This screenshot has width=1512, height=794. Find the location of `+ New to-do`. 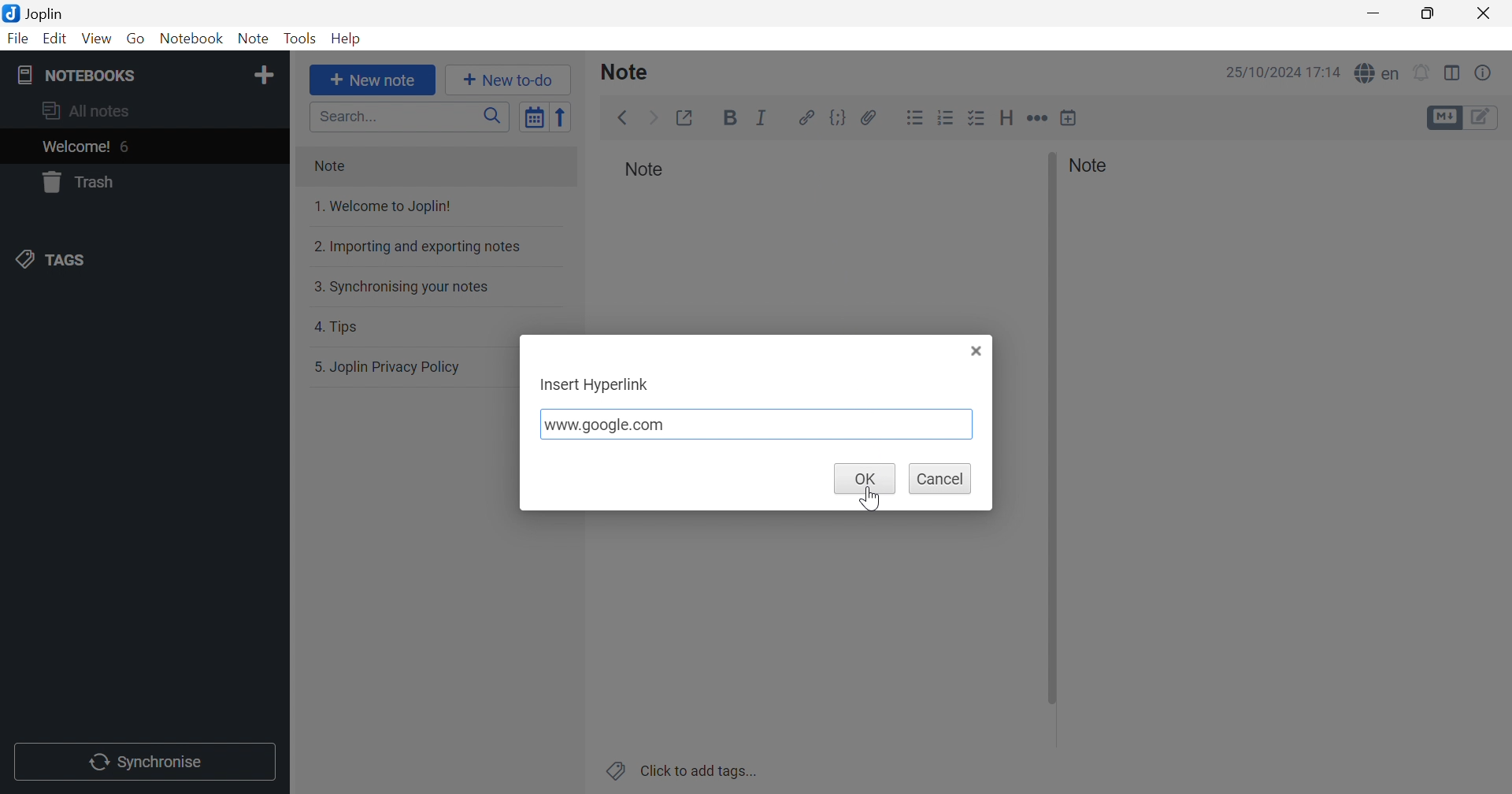

+ New to-do is located at coordinates (510, 80).